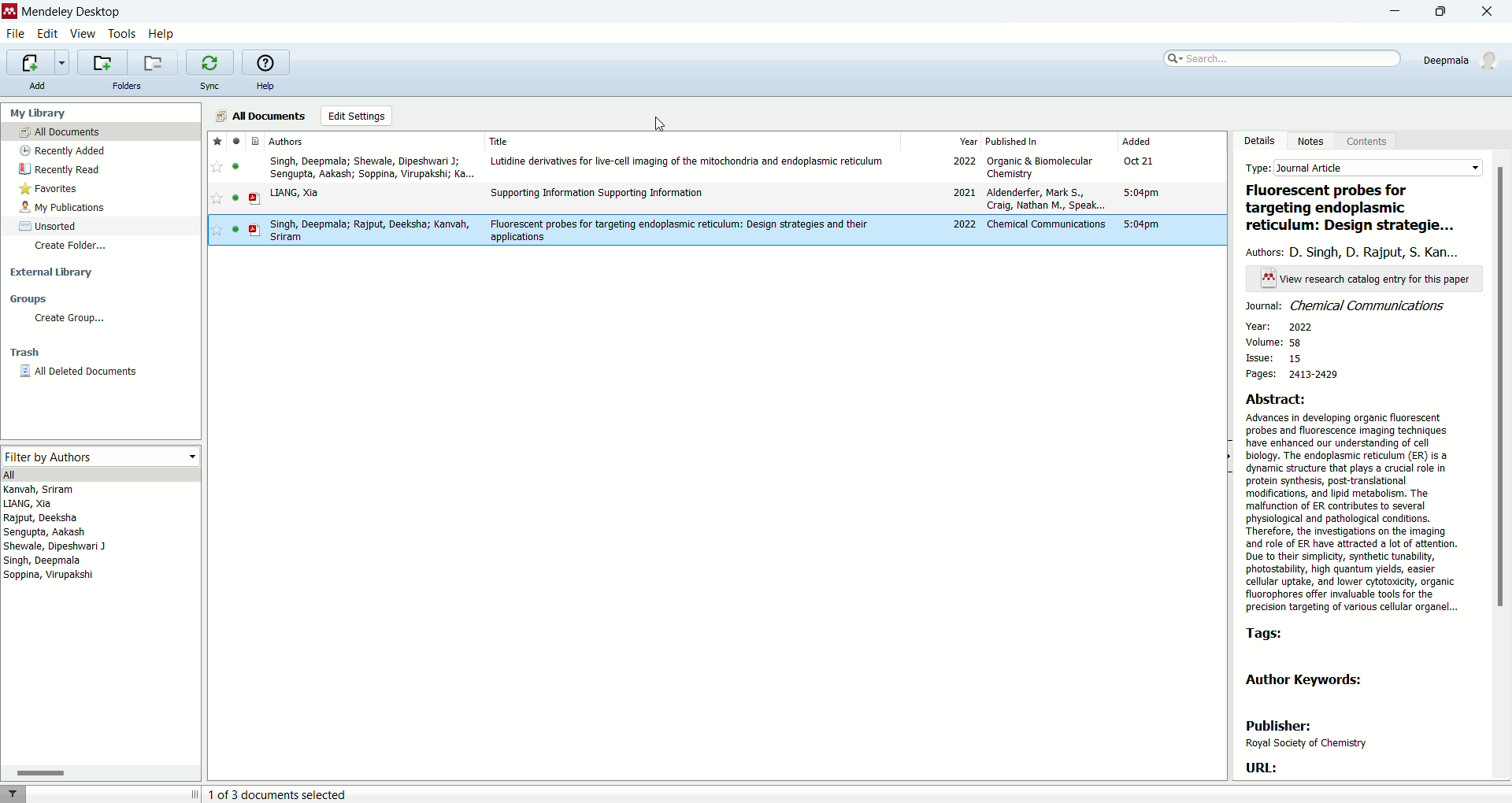  I want to click on Chemical communications, so click(1044, 224).